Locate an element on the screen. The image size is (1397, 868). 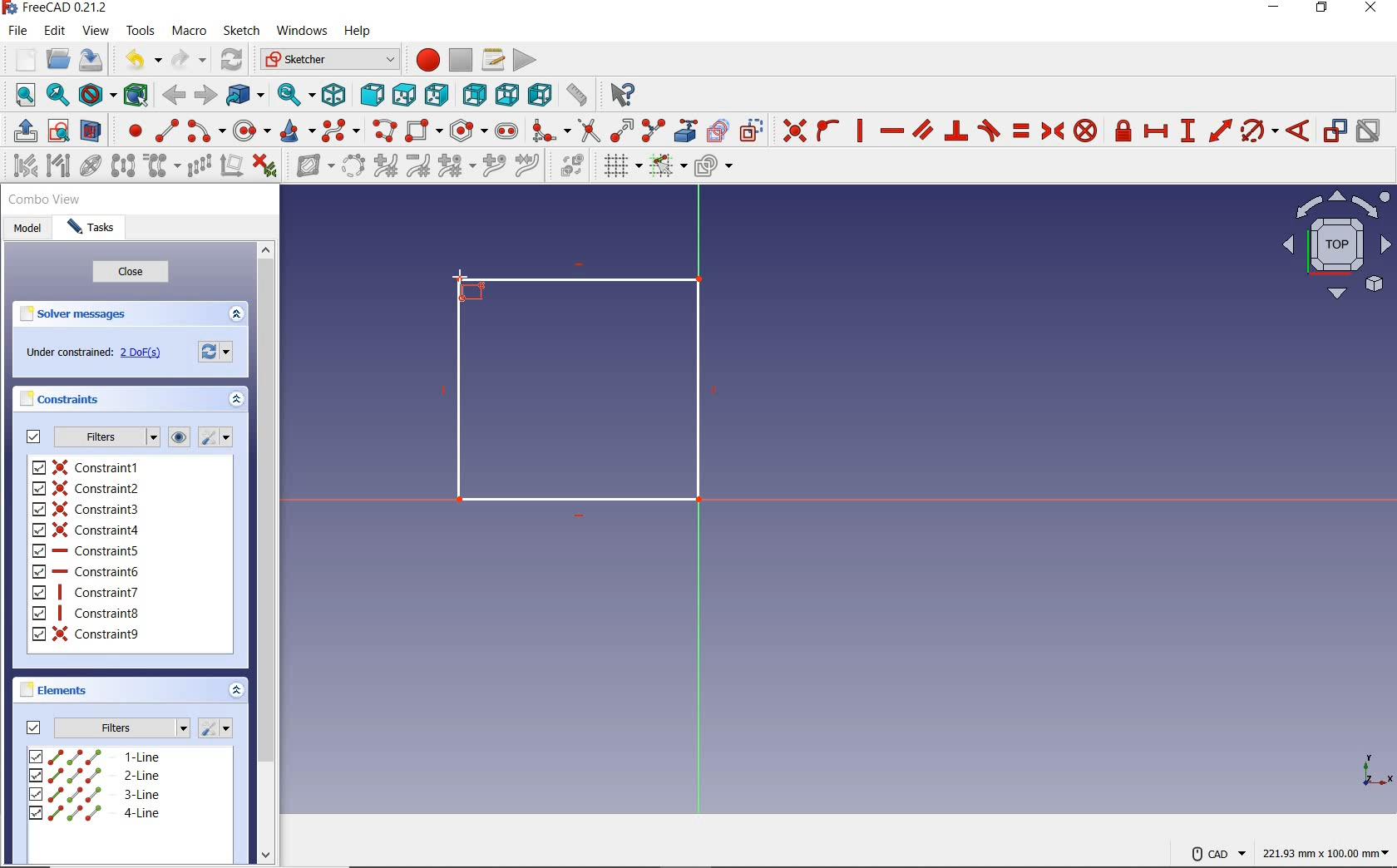
help is located at coordinates (360, 33).